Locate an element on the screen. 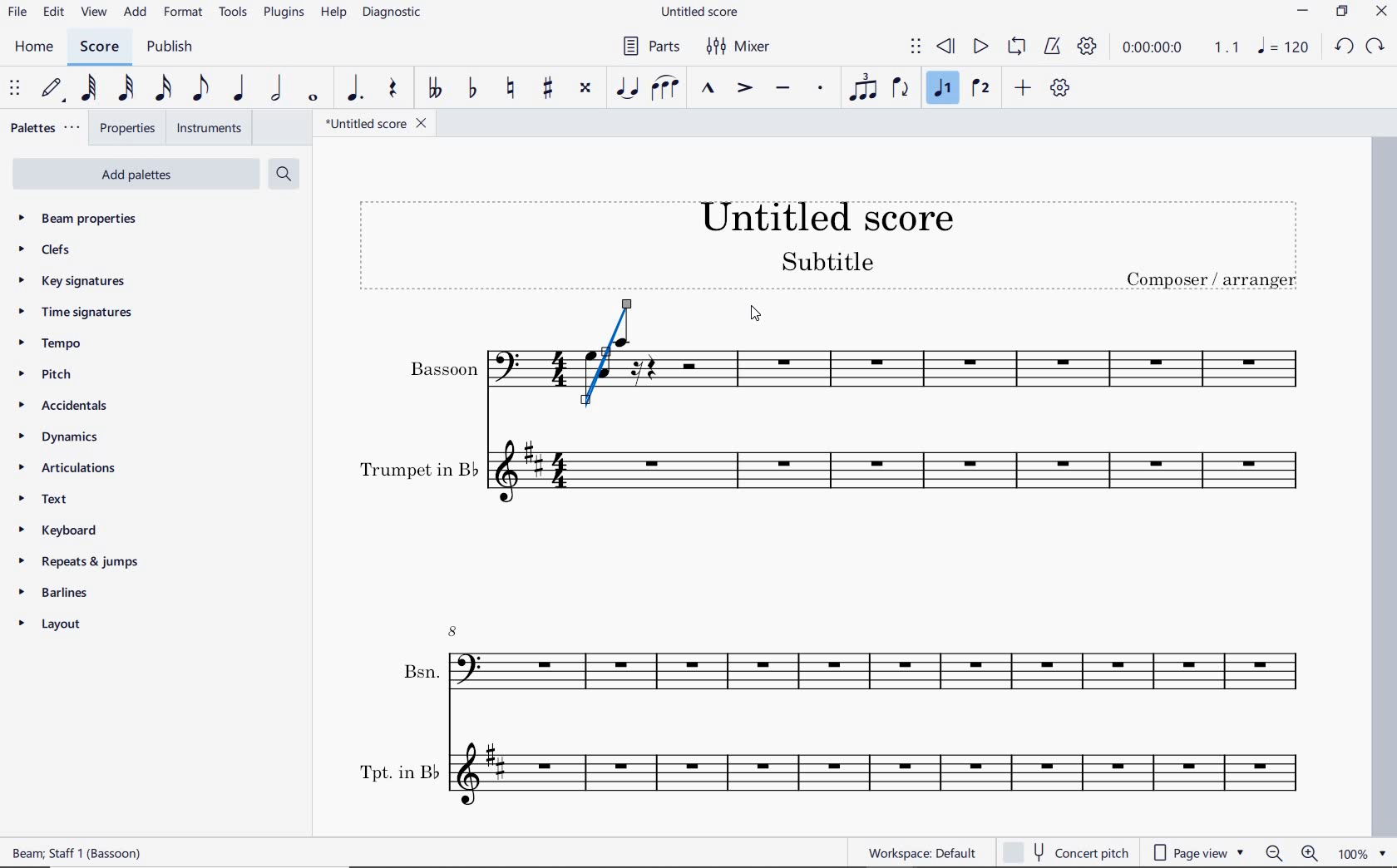  whole note is located at coordinates (311, 98).